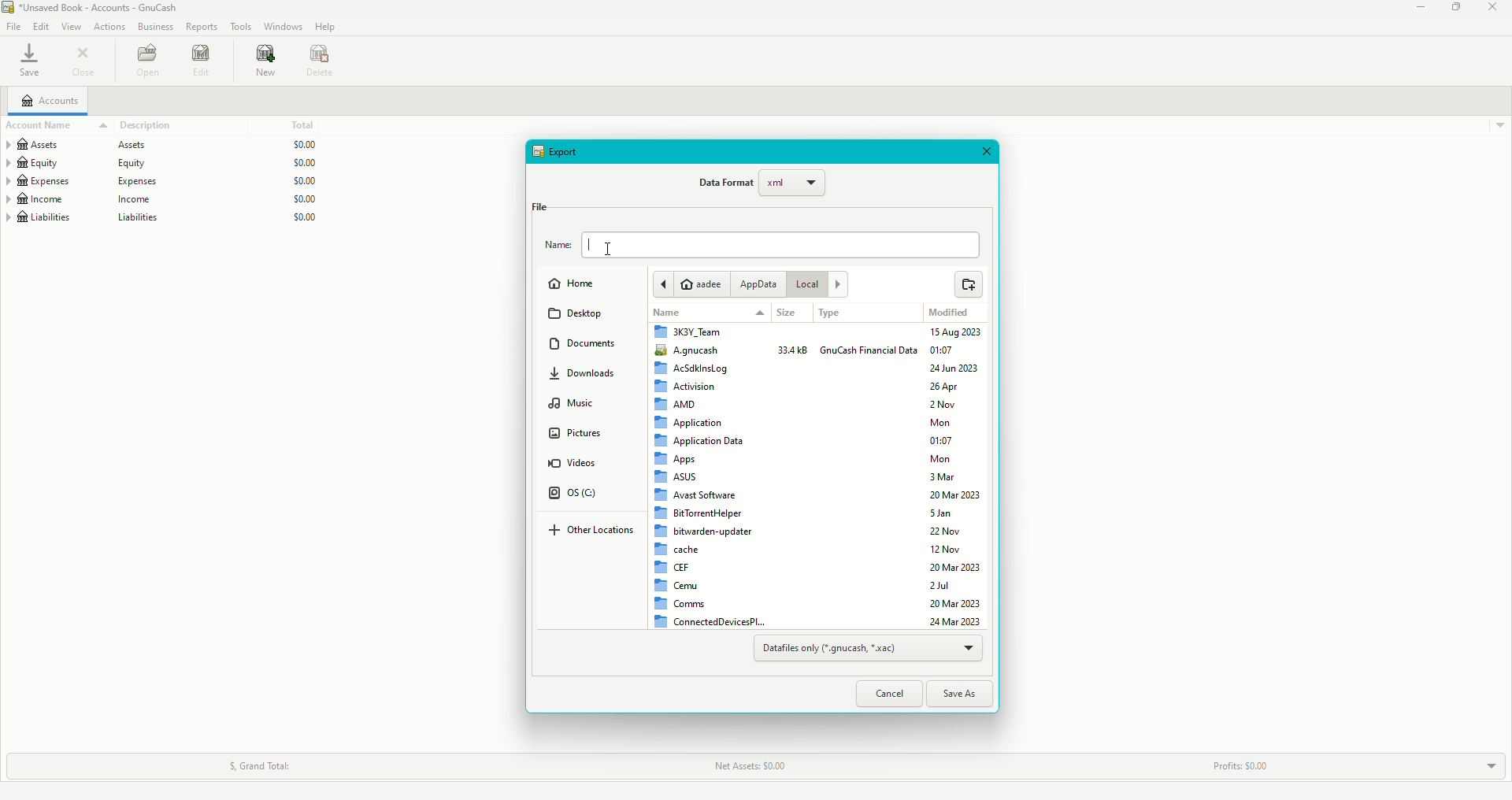 The height and width of the screenshot is (800, 1512). Describe the element at coordinates (580, 316) in the screenshot. I see `Desktop` at that location.